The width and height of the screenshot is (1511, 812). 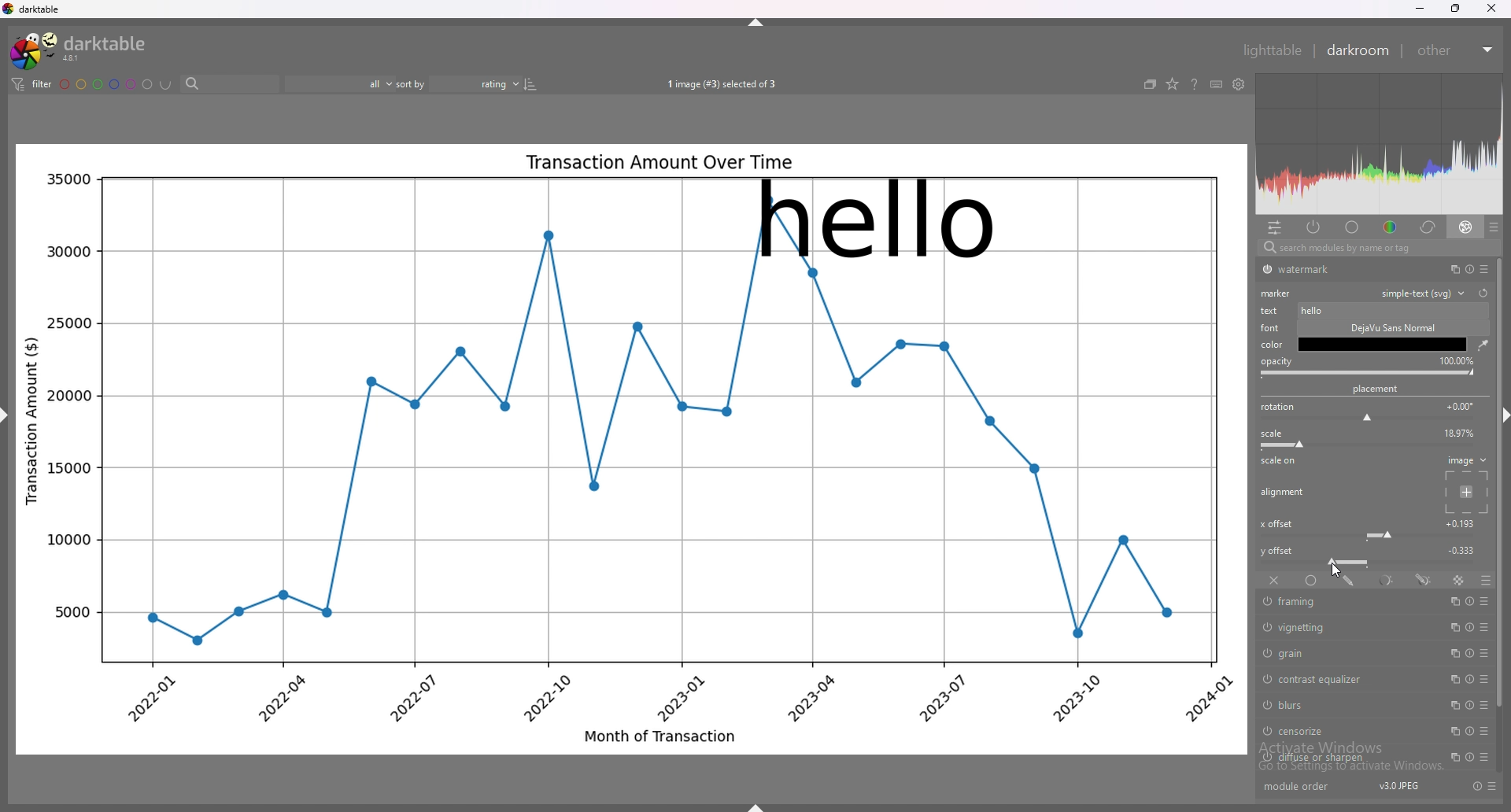 I want to click on rotation bar, so click(x=1366, y=419).